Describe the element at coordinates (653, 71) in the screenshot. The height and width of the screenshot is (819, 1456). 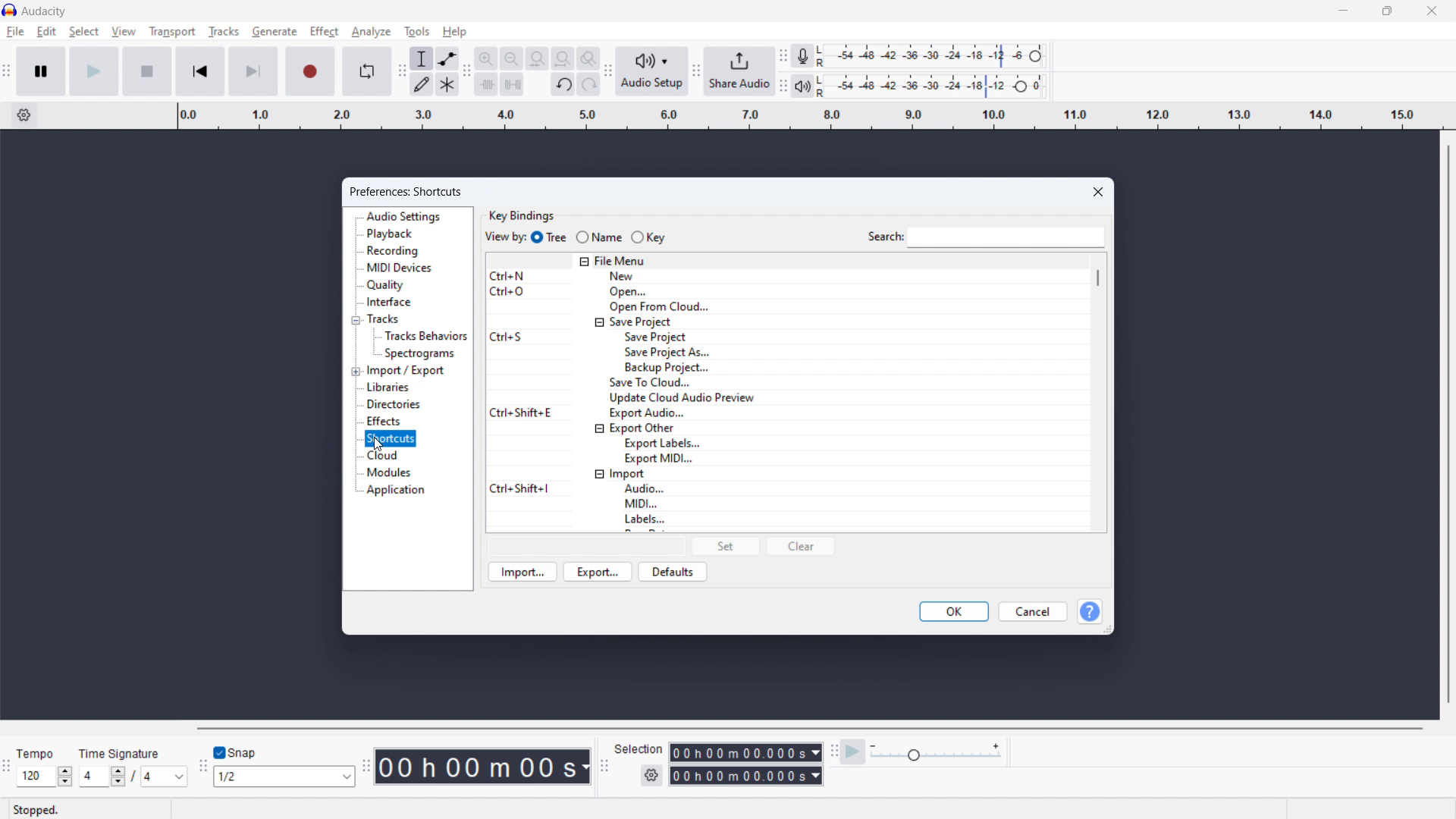
I see `audio setup` at that location.